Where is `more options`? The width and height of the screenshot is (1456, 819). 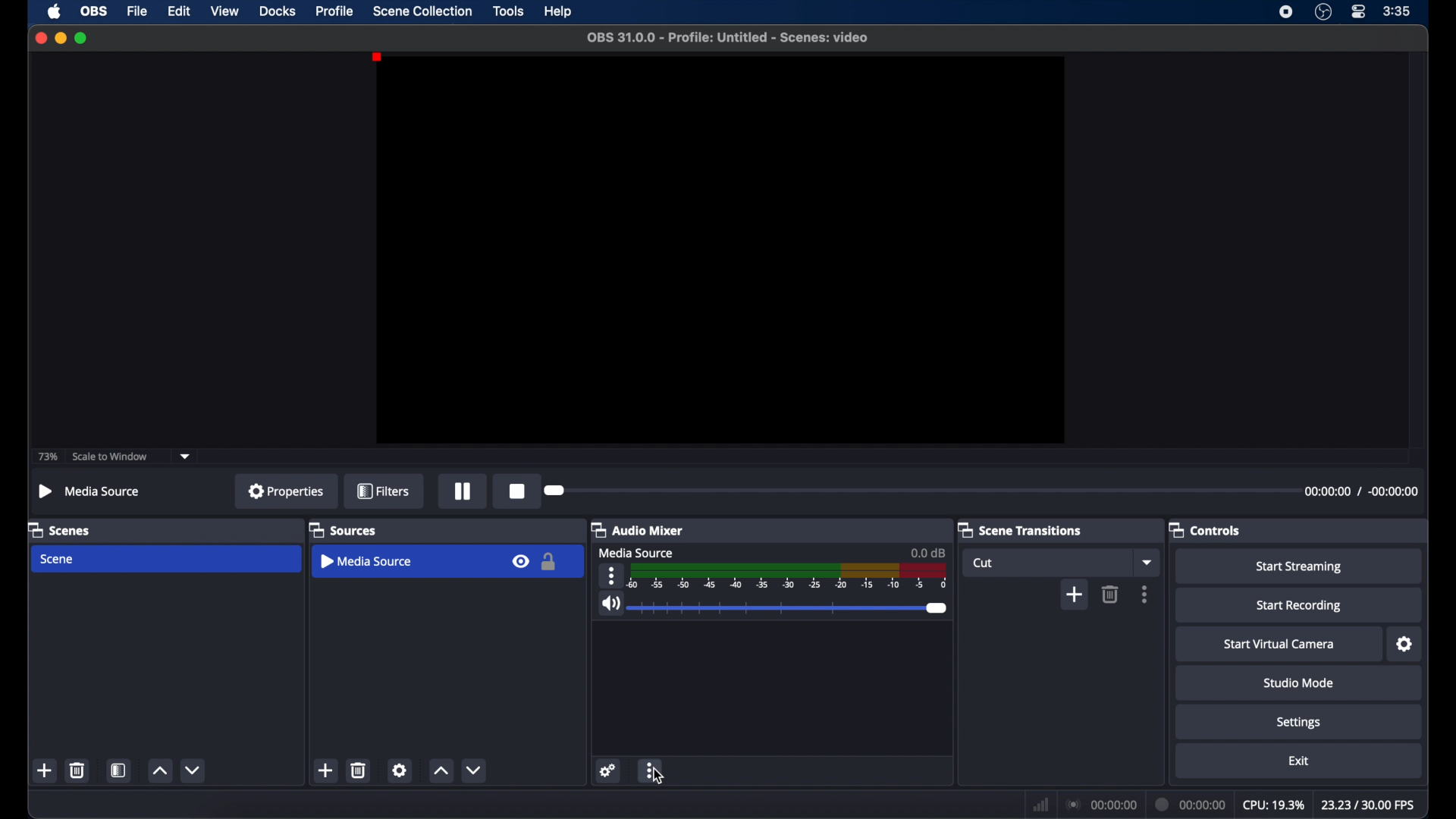 more options is located at coordinates (1145, 593).